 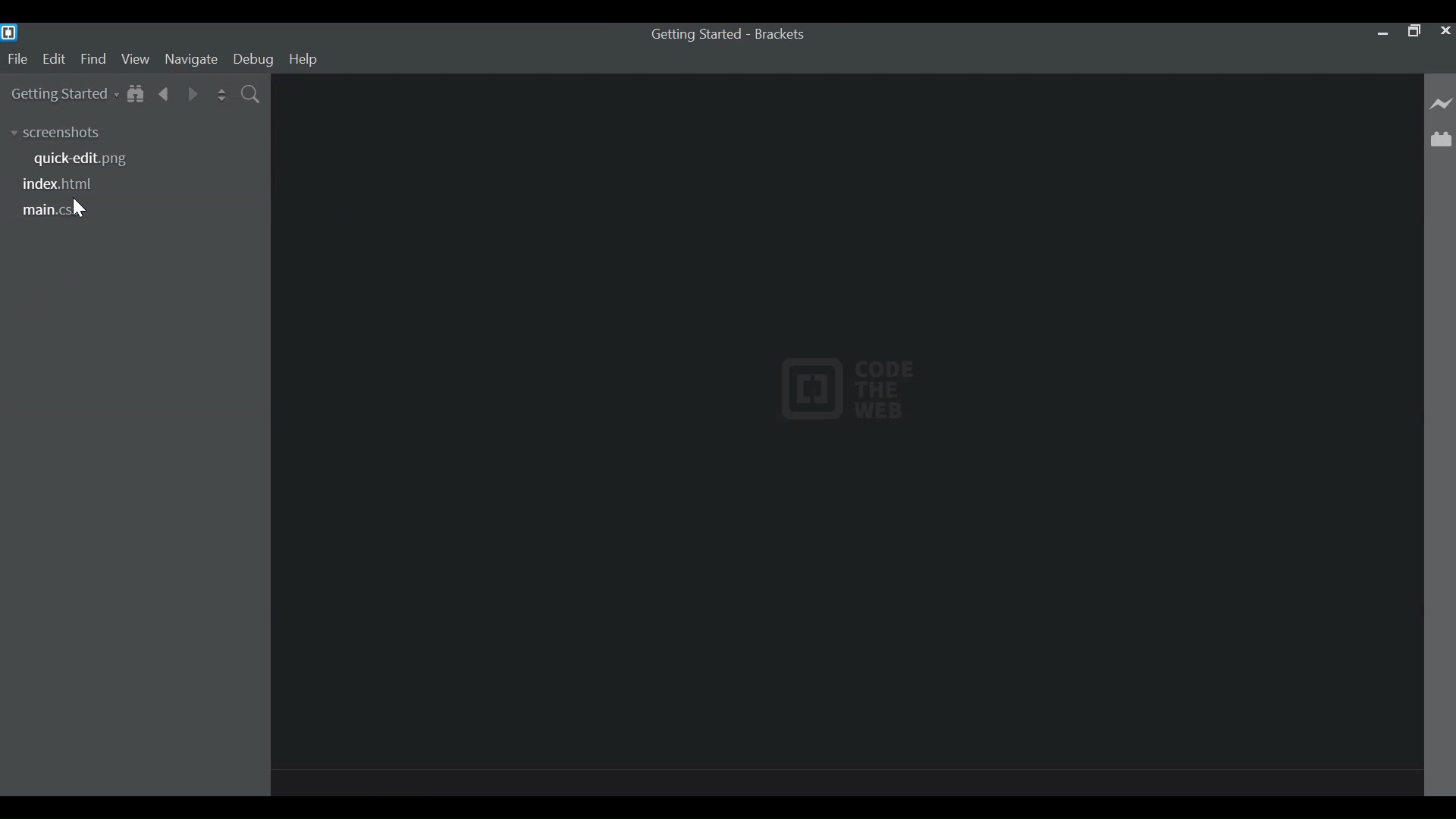 I want to click on Close, so click(x=1444, y=31).